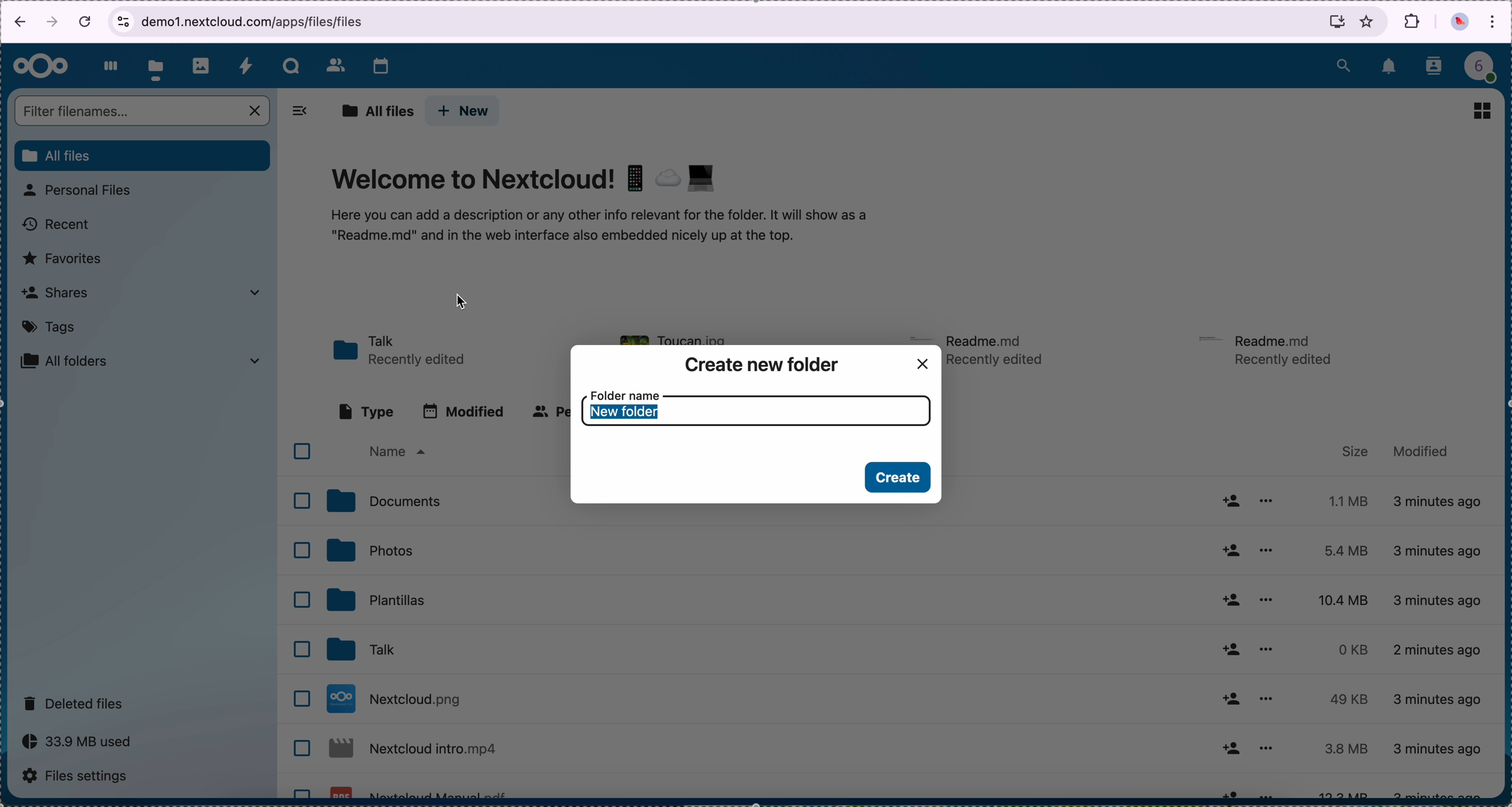 The image size is (1512, 807). Describe the element at coordinates (1338, 792) in the screenshot. I see `12.2 MB` at that location.